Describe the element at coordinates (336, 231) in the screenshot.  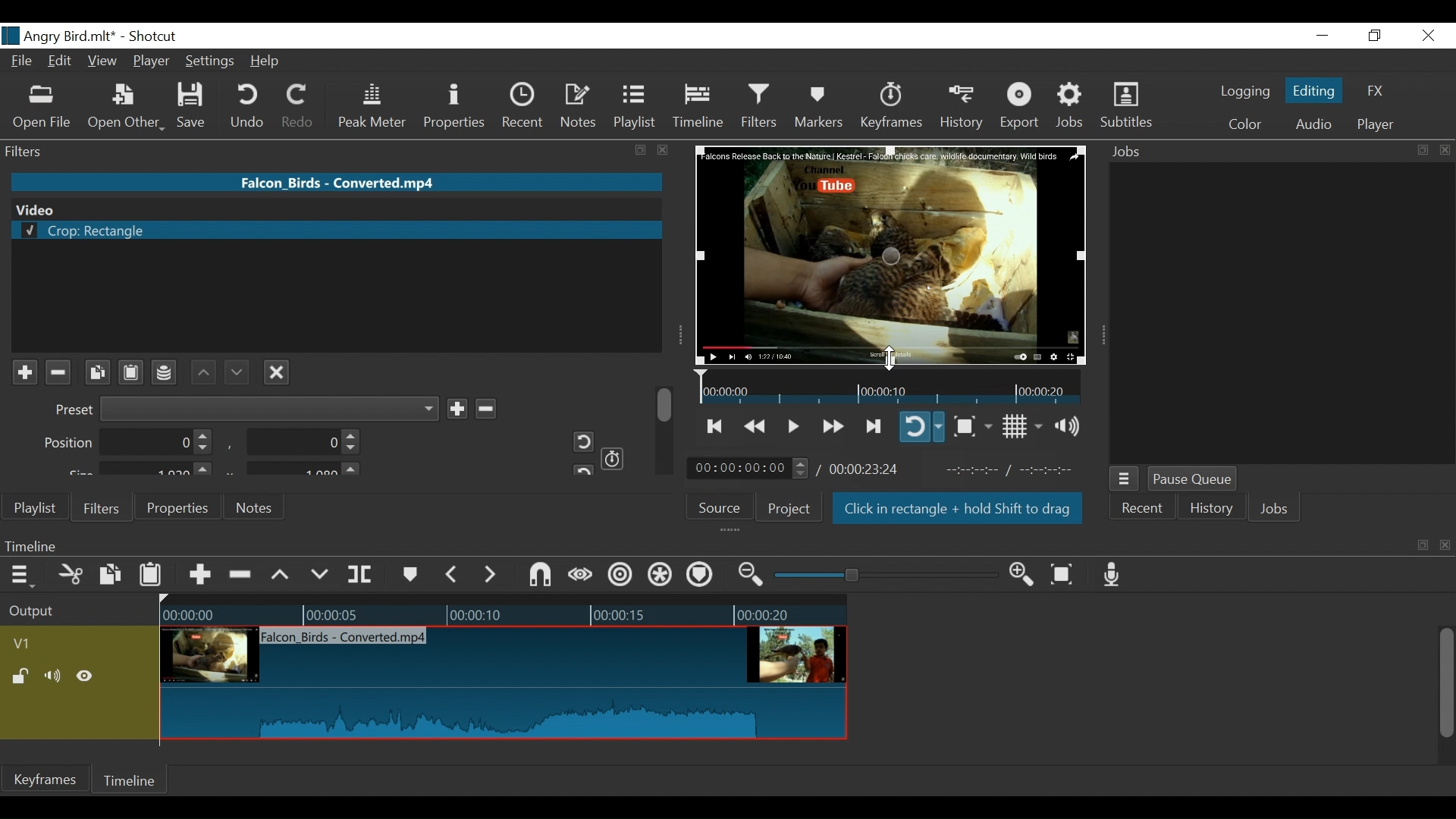
I see `Crop Rectangle` at that location.